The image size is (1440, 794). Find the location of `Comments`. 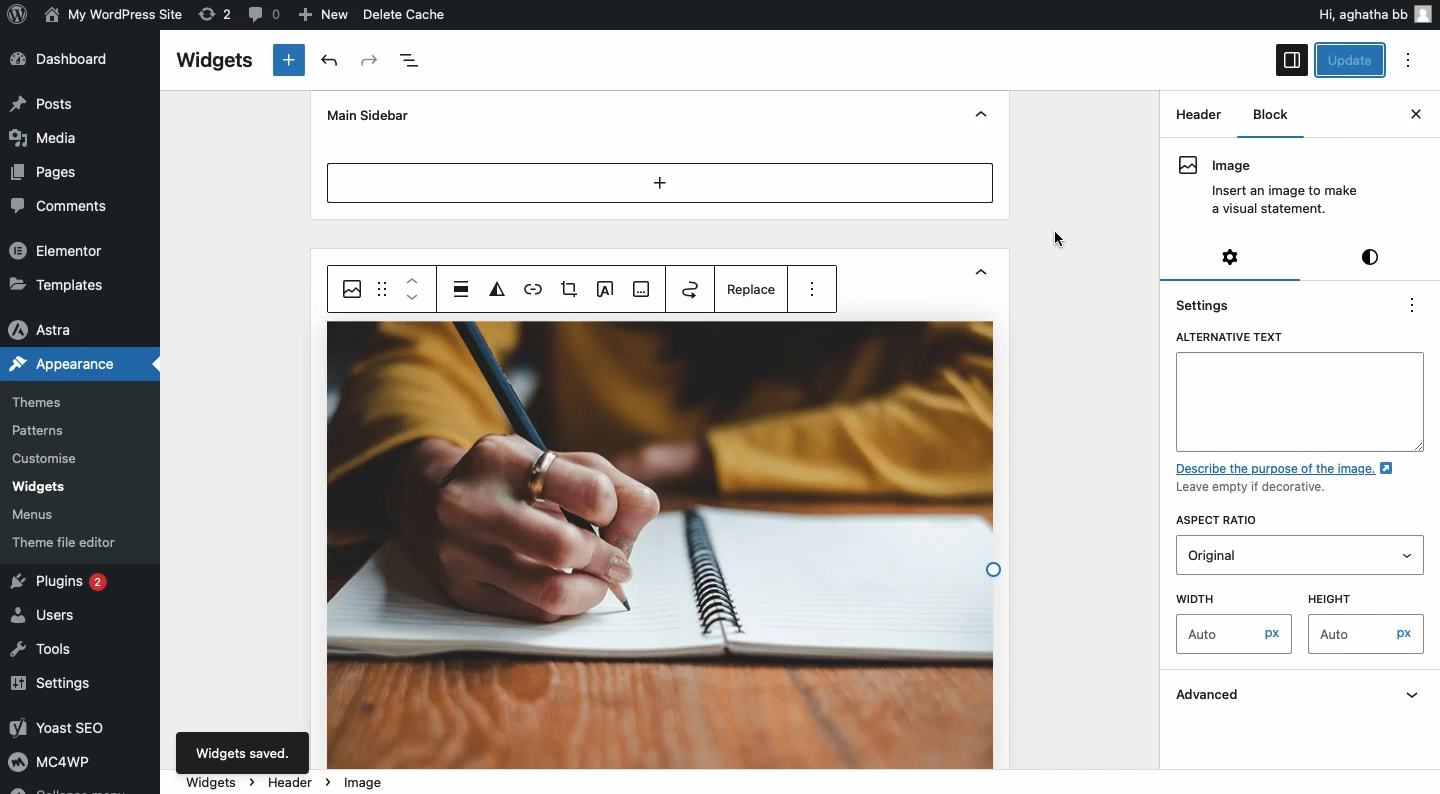

Comments is located at coordinates (54, 205).